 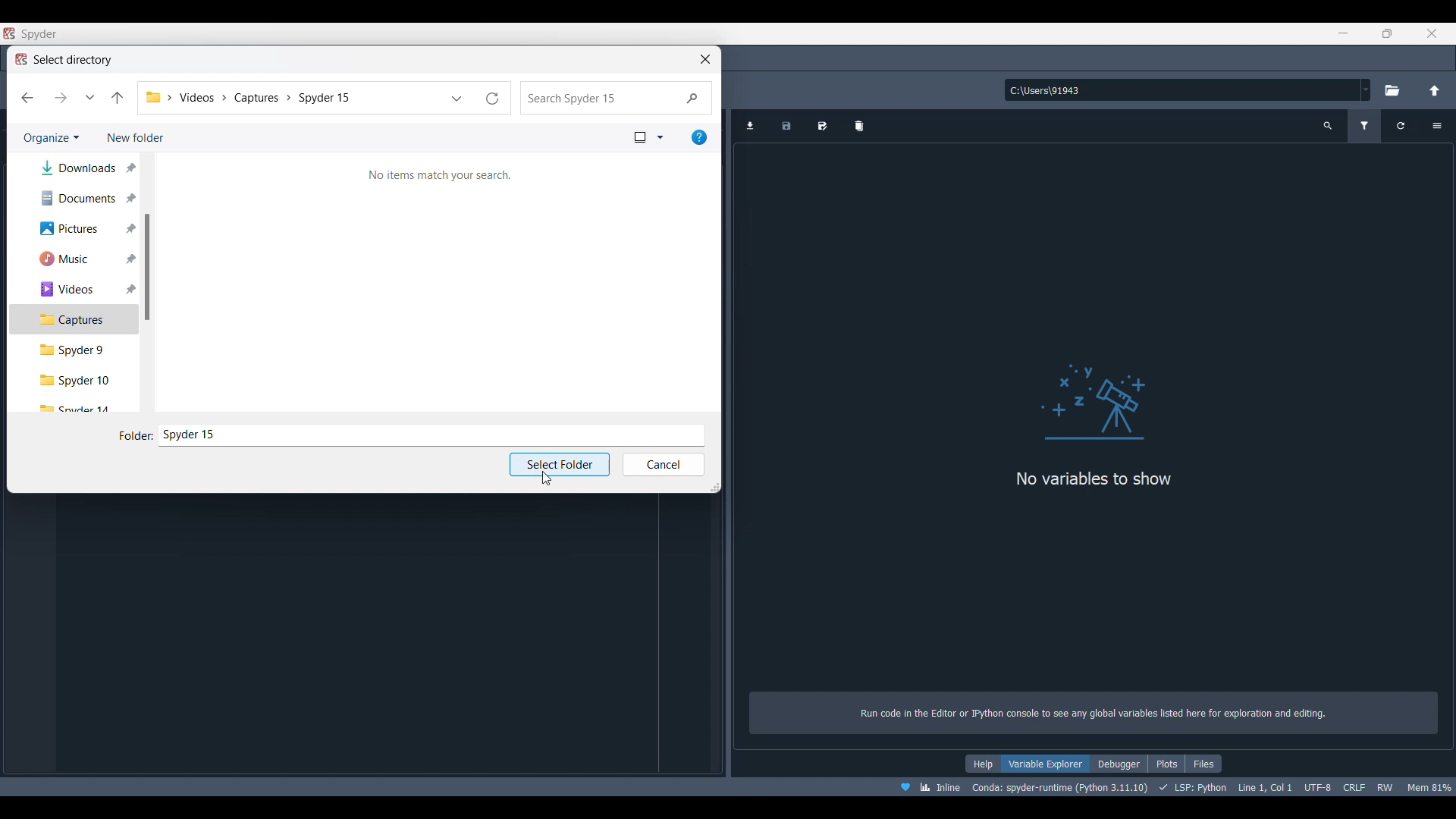 I want to click on Close, so click(x=1432, y=33).